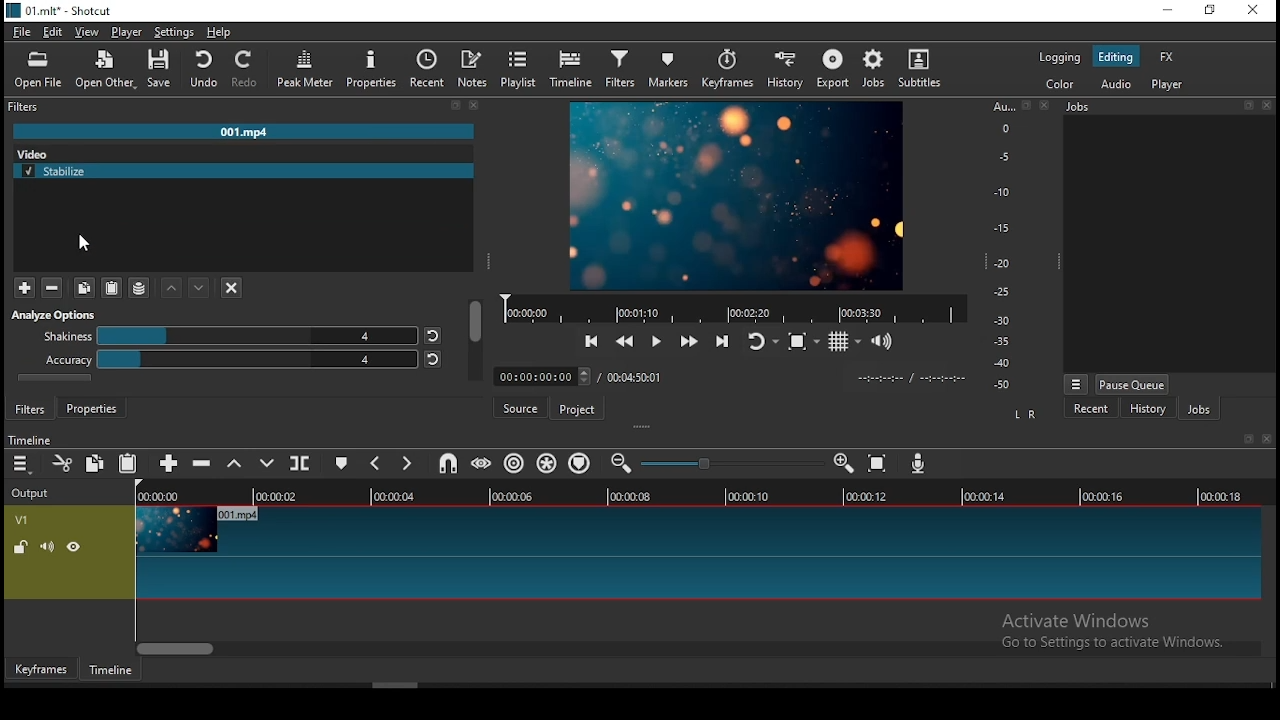  Describe the element at coordinates (1084, 107) in the screenshot. I see `Jobs` at that location.